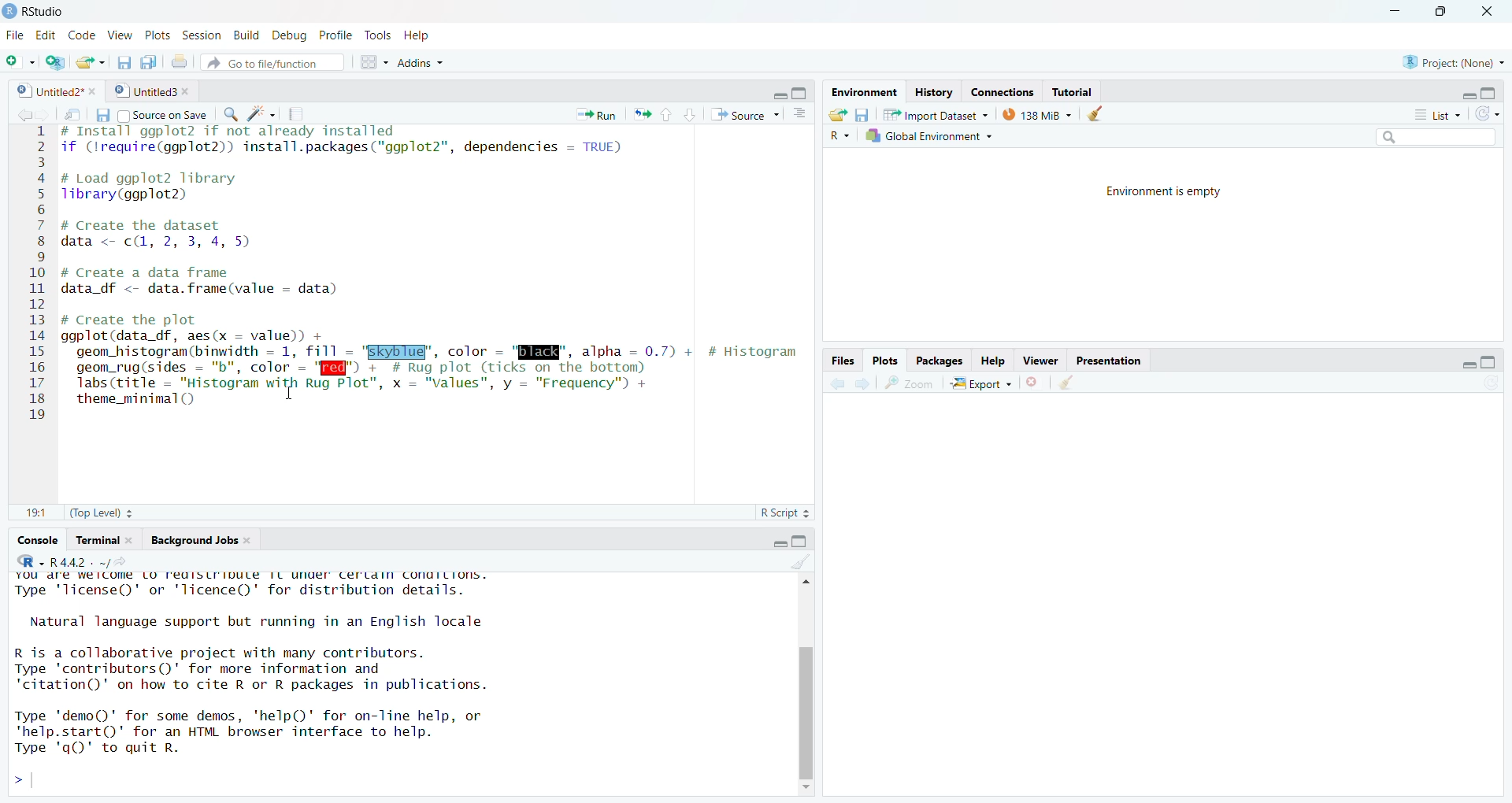 This screenshot has width=1512, height=803. I want to click on ~ Addins ~, so click(434, 61).